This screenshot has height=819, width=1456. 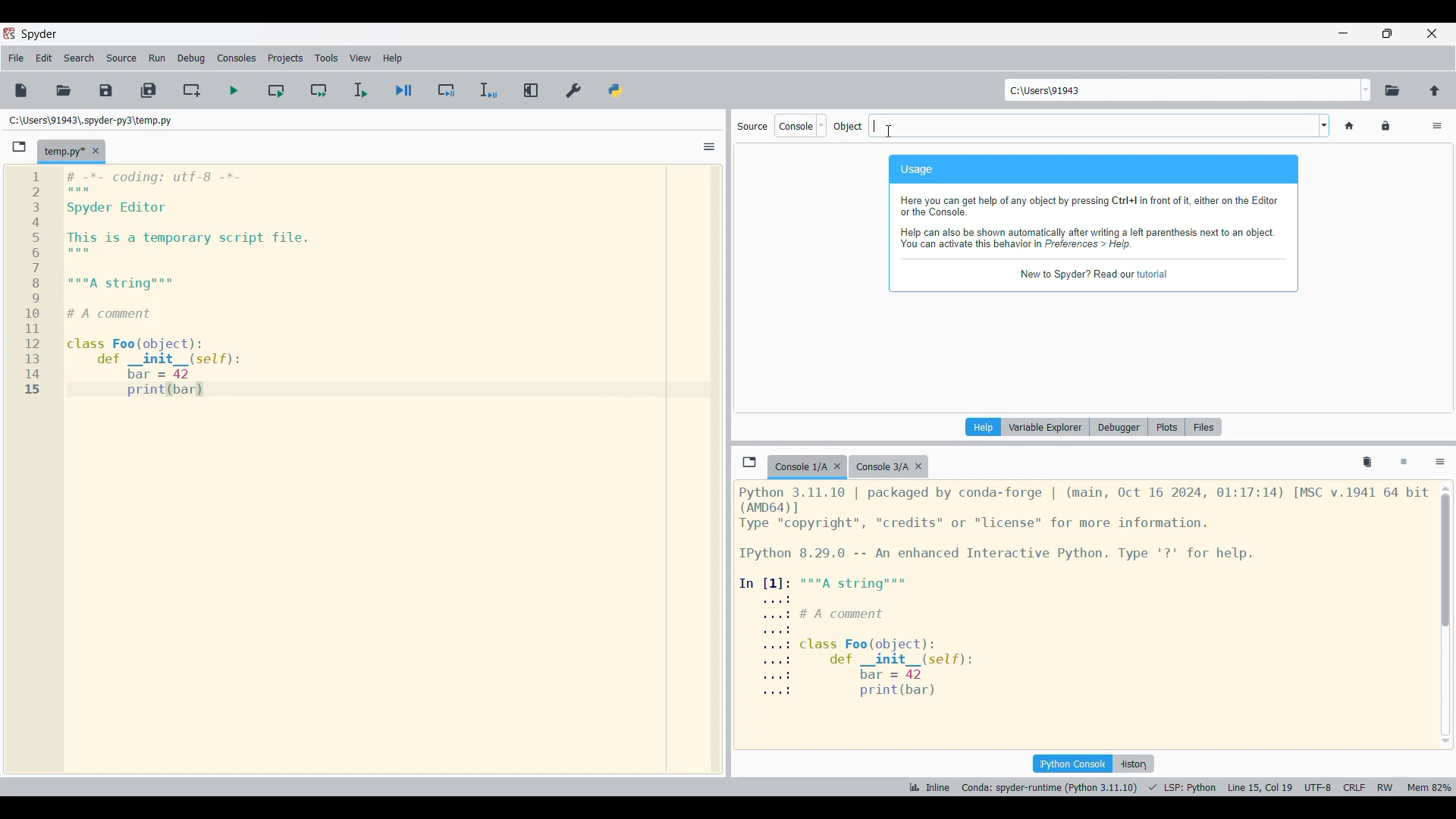 What do you see at coordinates (1182, 90) in the screenshot?
I see `Enter location` at bounding box center [1182, 90].